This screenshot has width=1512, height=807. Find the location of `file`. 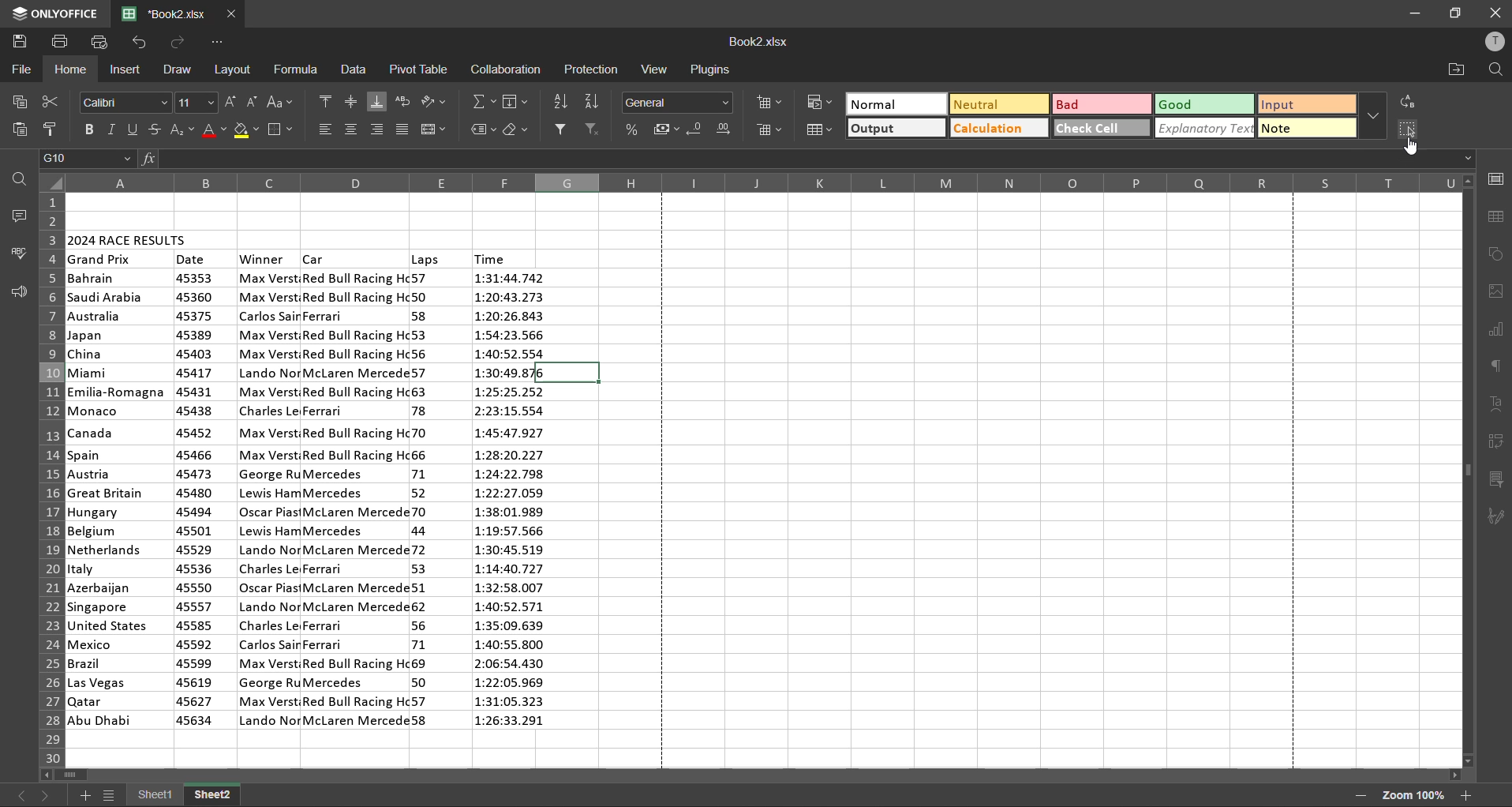

file is located at coordinates (23, 68).